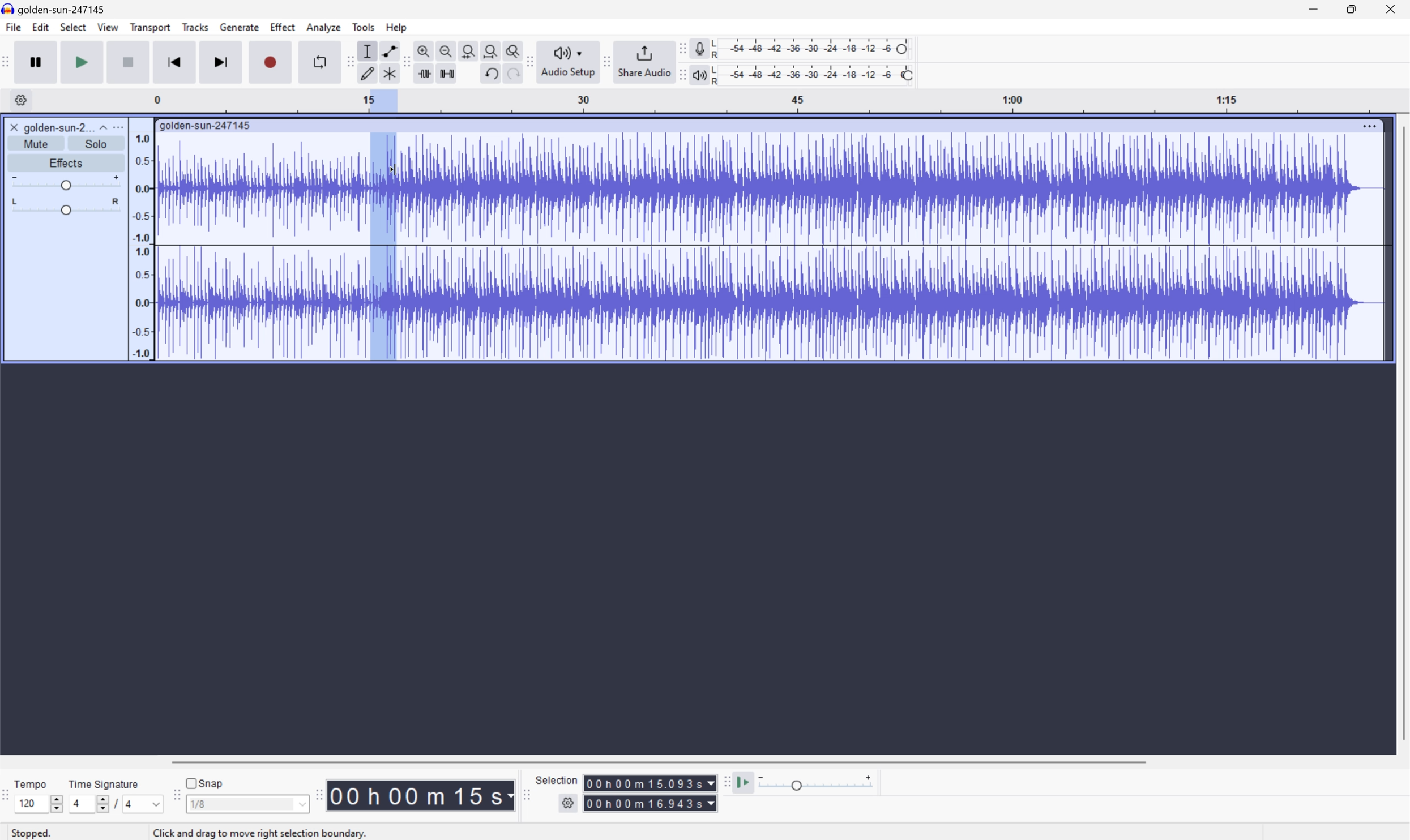 The image size is (1410, 840). What do you see at coordinates (241, 27) in the screenshot?
I see `Generate` at bounding box center [241, 27].